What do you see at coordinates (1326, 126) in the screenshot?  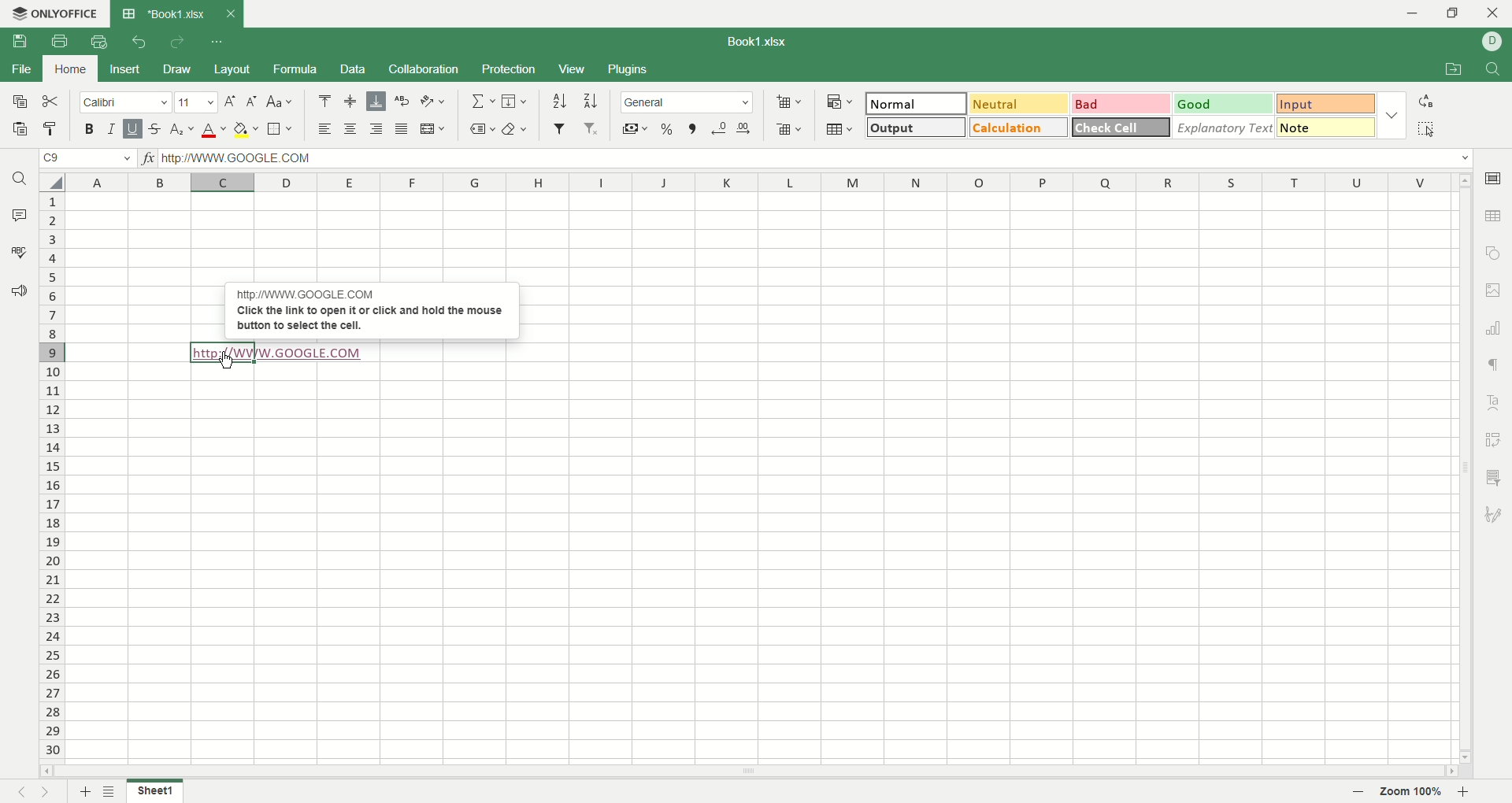 I see `note` at bounding box center [1326, 126].